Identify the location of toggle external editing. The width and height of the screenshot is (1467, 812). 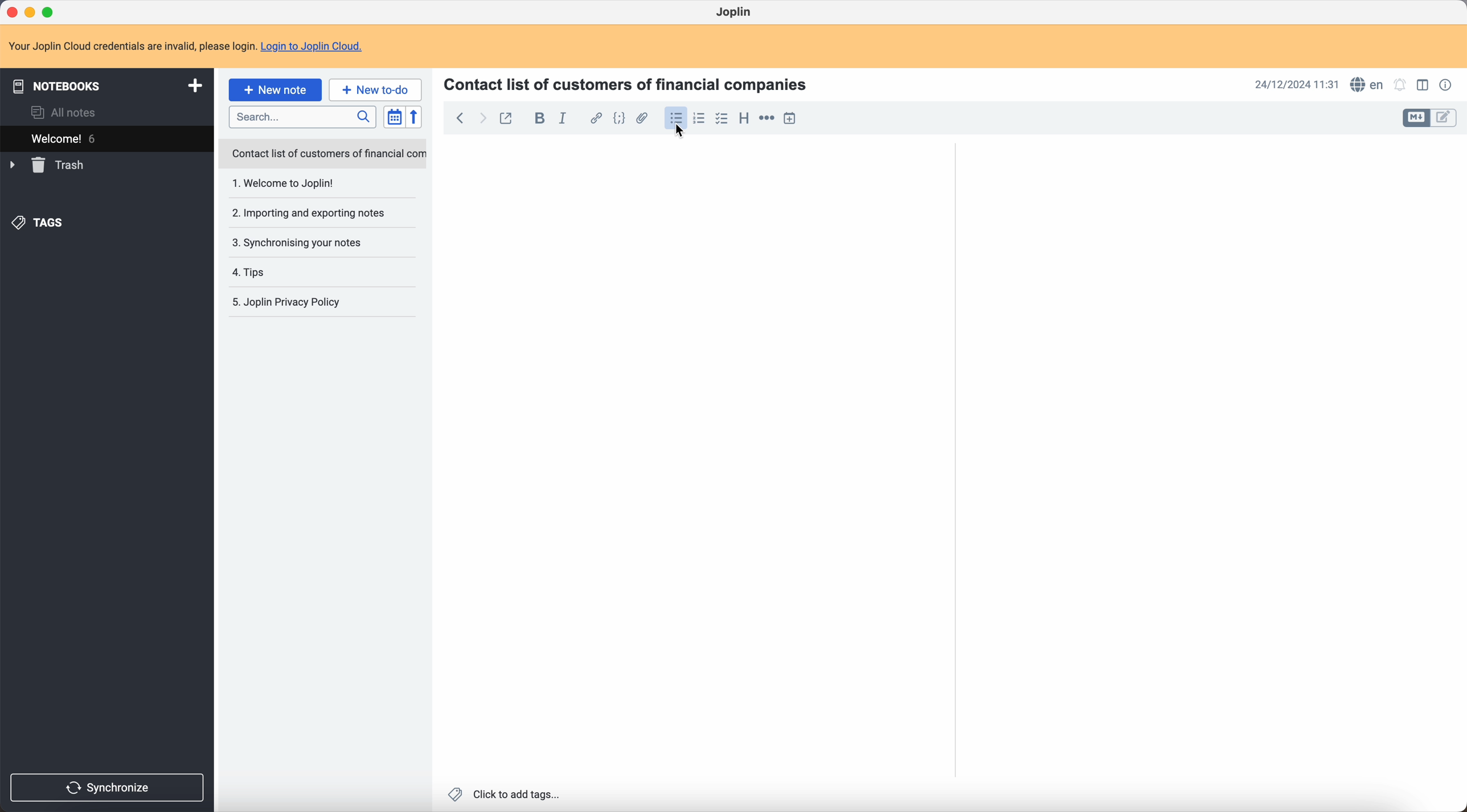
(509, 117).